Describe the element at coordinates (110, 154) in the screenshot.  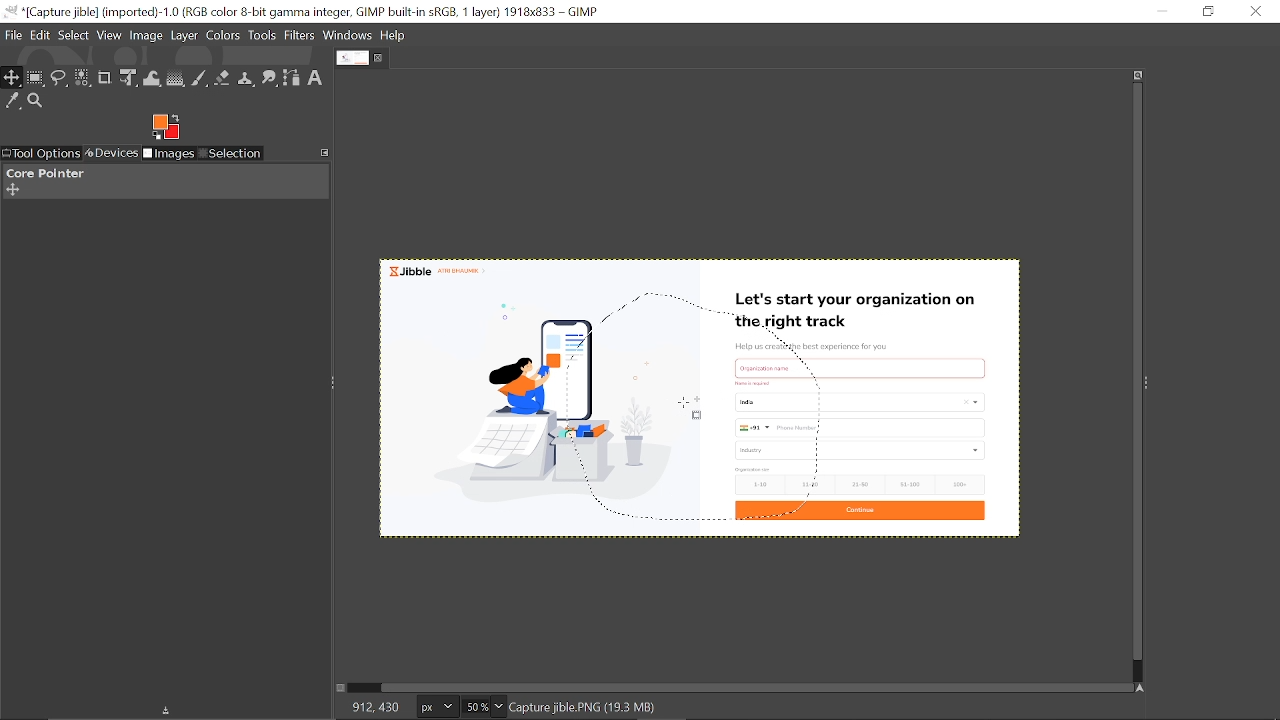
I see `Devices` at that location.